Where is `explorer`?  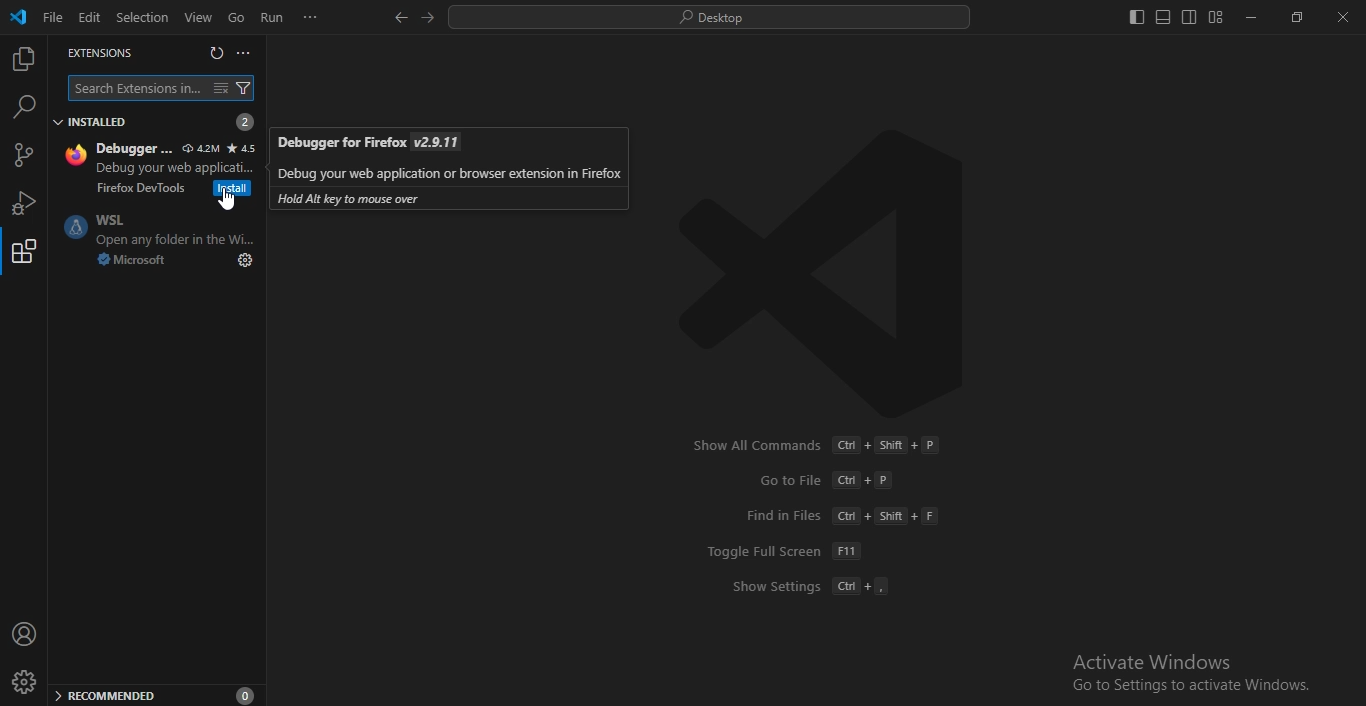
explorer is located at coordinates (26, 60).